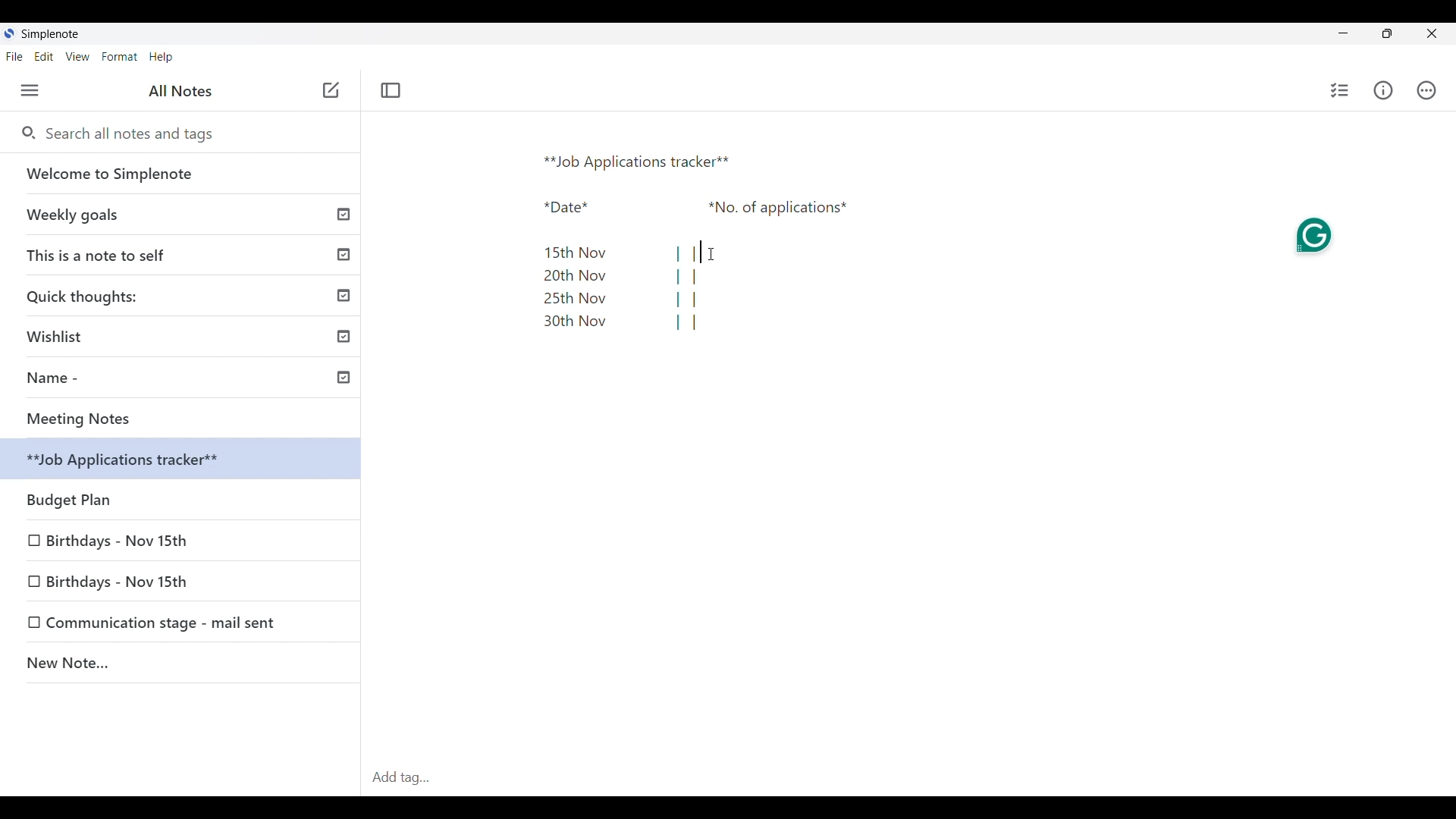 This screenshot has height=819, width=1456. What do you see at coordinates (332, 89) in the screenshot?
I see `Click to add note` at bounding box center [332, 89].